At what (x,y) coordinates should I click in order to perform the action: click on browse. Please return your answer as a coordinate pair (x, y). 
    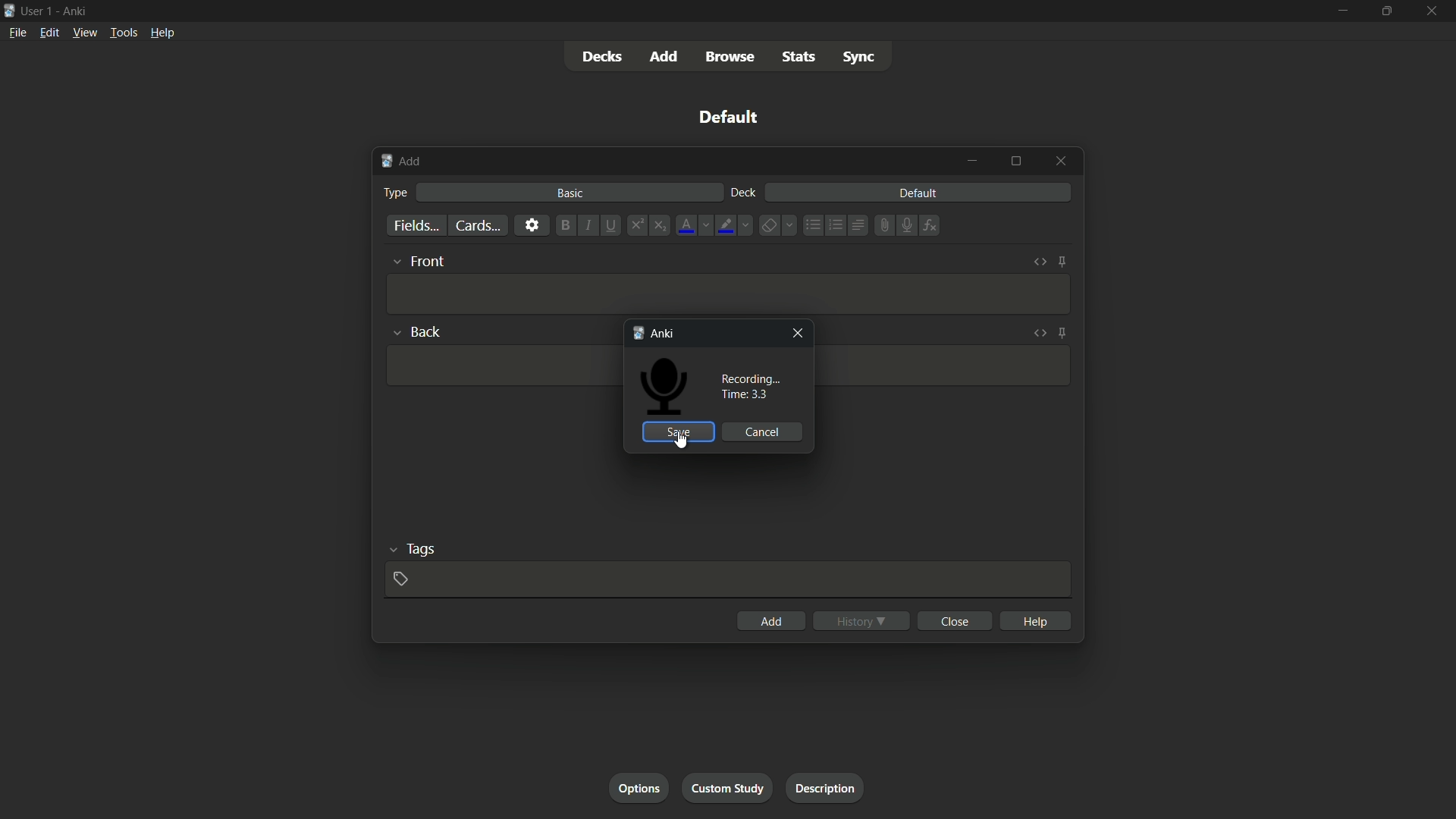
    Looking at the image, I should click on (733, 57).